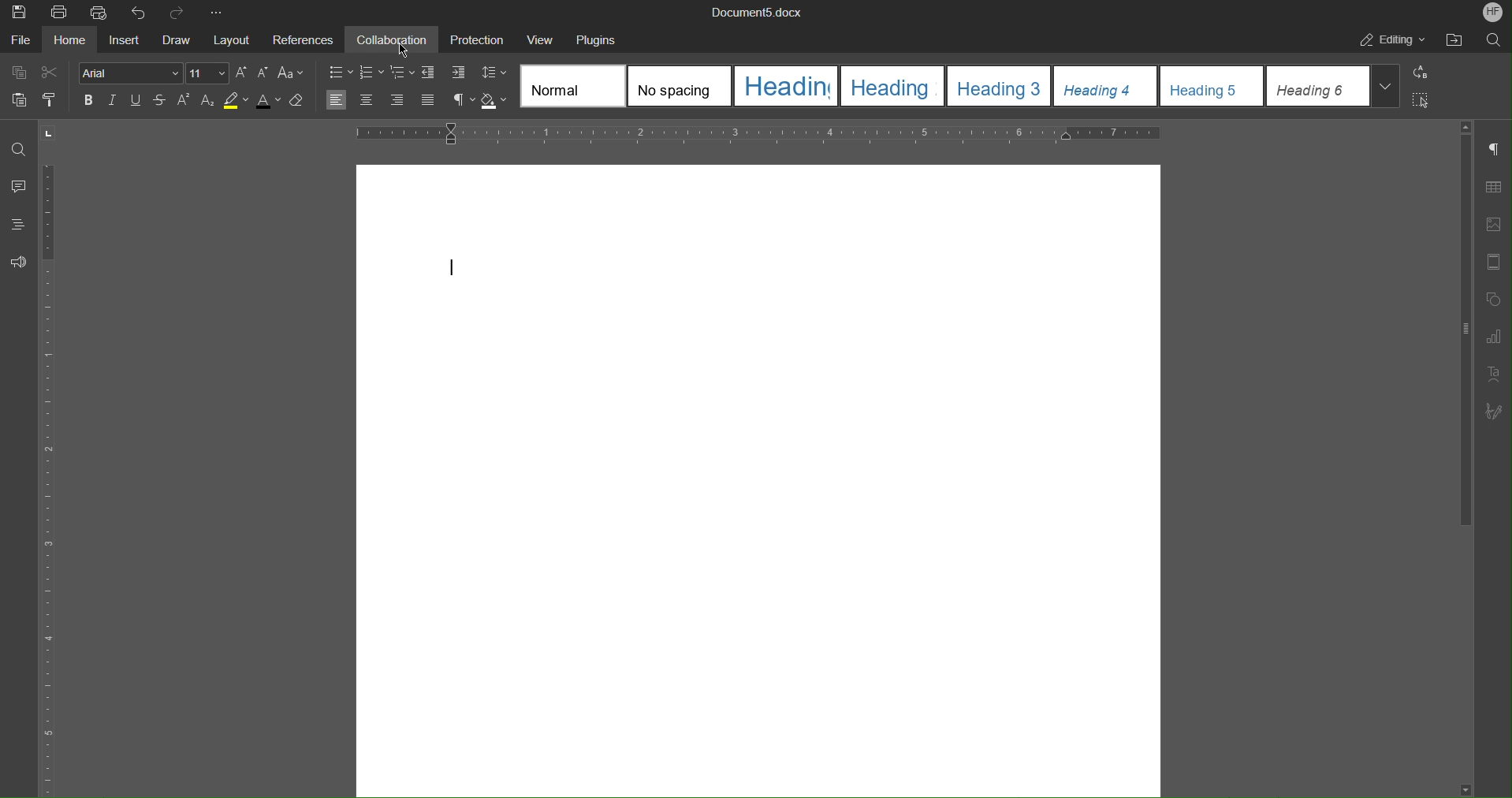 This screenshot has height=798, width=1512. I want to click on Layout, so click(240, 40).